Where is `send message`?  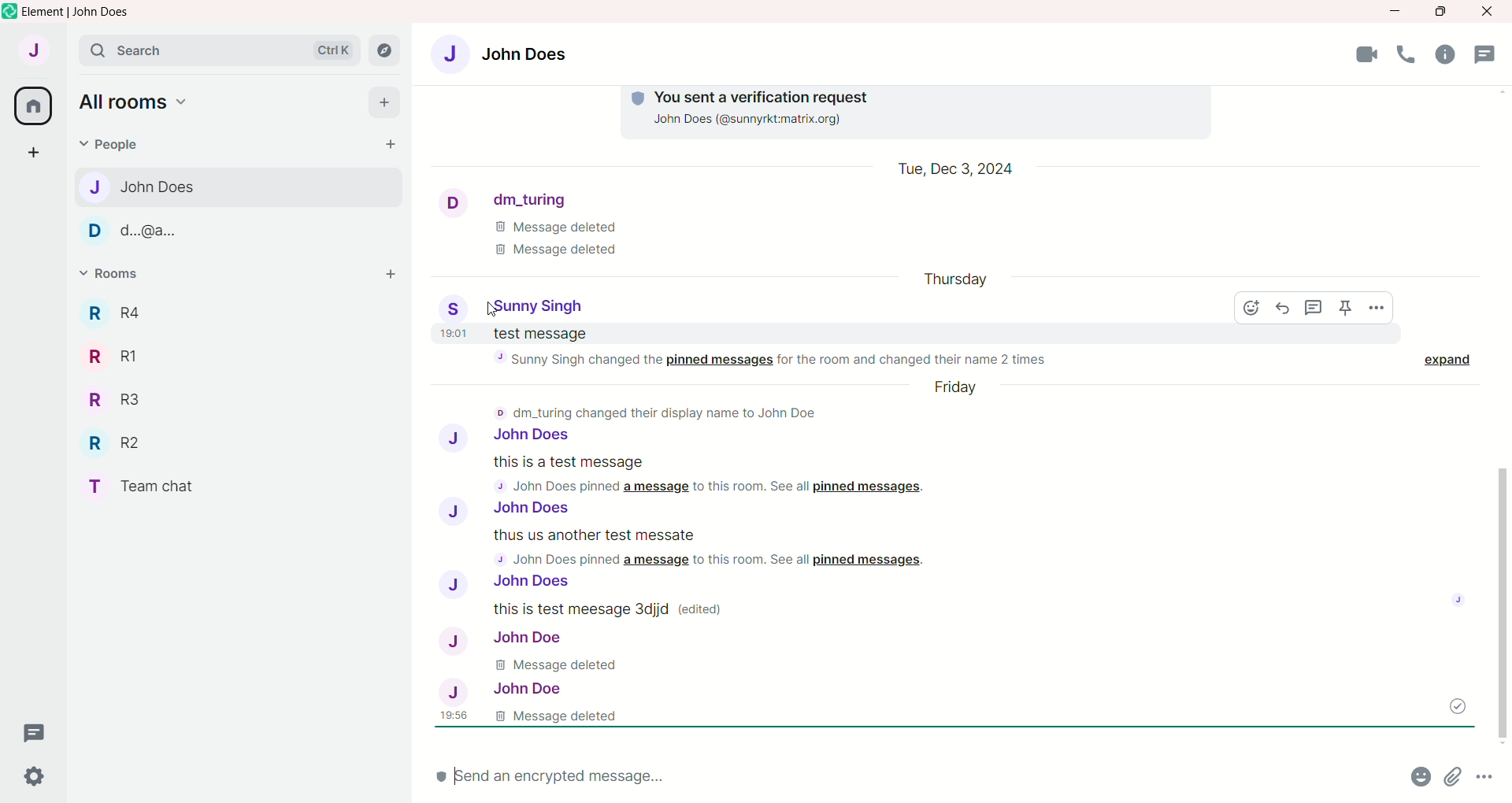
send message is located at coordinates (630, 774).